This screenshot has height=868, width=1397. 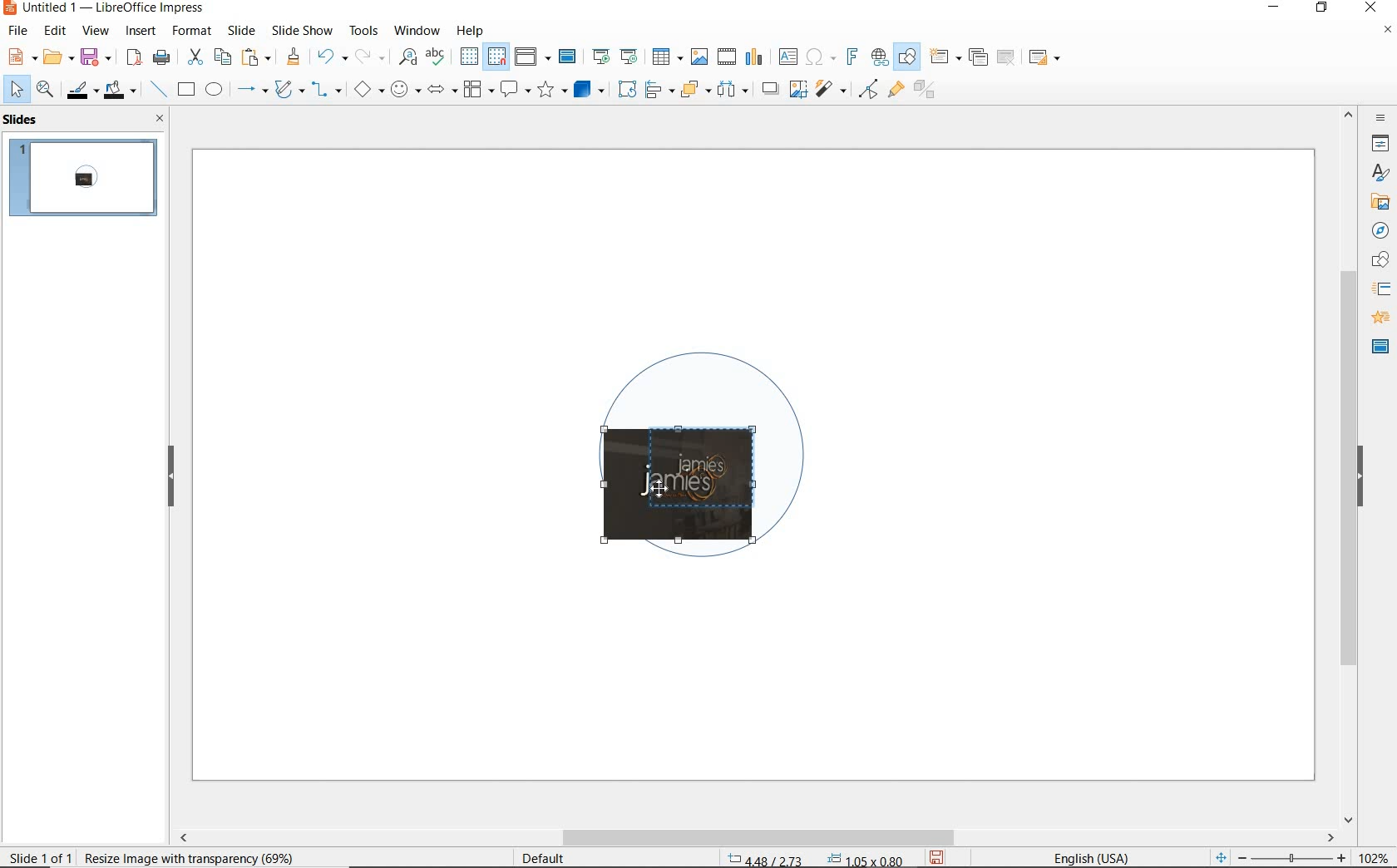 What do you see at coordinates (545, 858) in the screenshot?
I see `Default` at bounding box center [545, 858].